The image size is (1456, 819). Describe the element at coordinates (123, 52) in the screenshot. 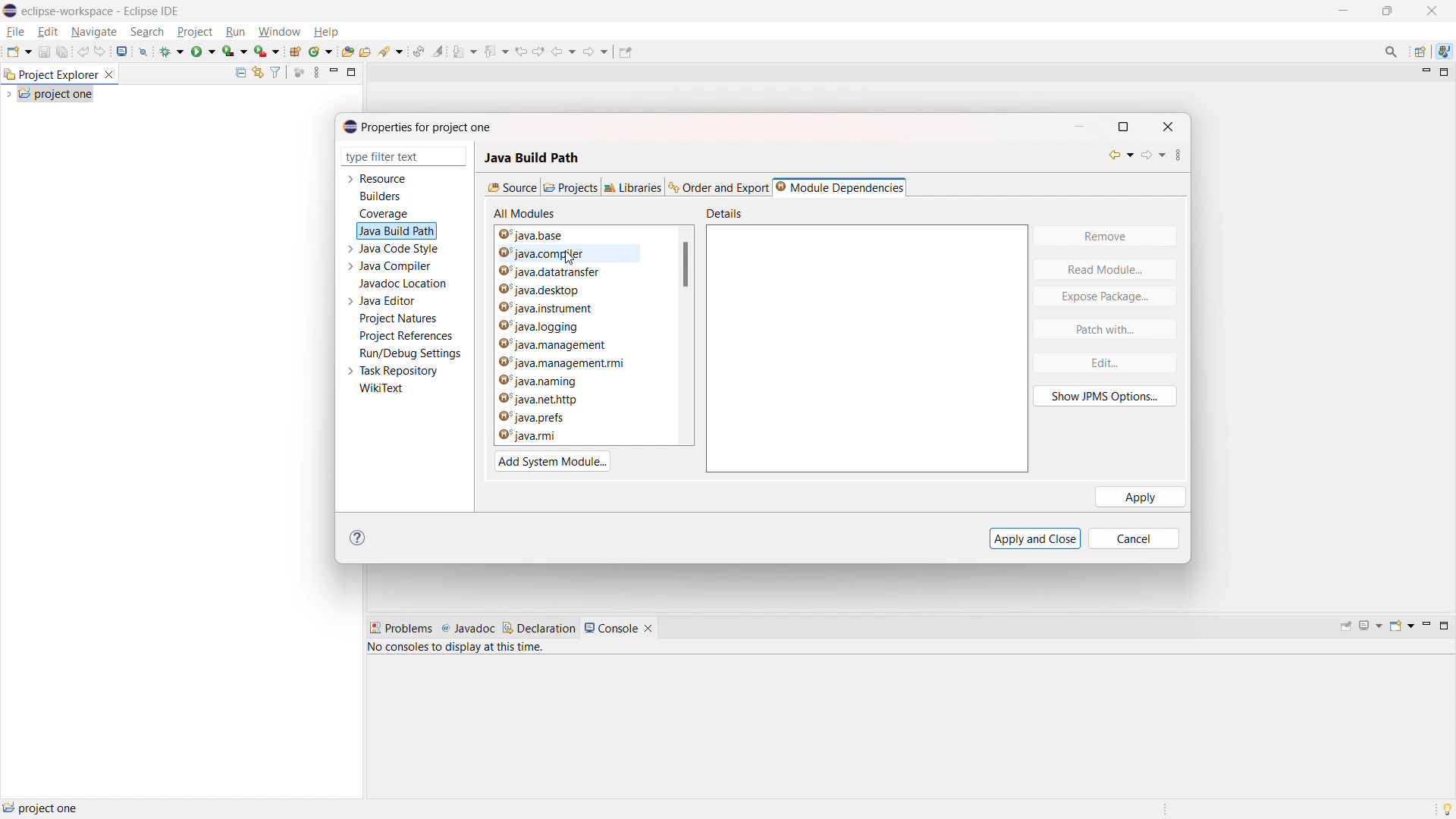

I see `open console` at that location.